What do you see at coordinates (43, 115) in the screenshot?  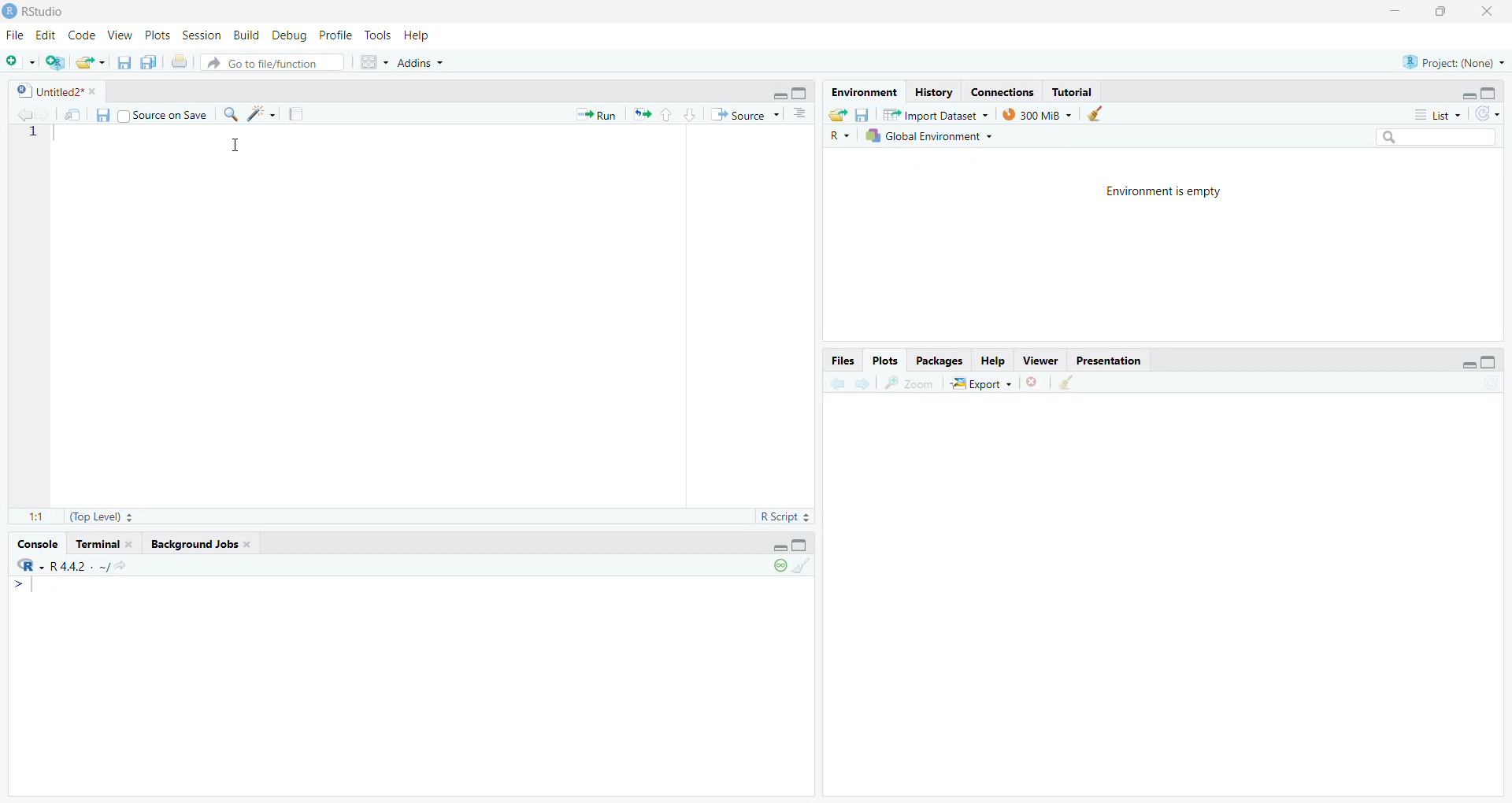 I see `go back to the next source location` at bounding box center [43, 115].